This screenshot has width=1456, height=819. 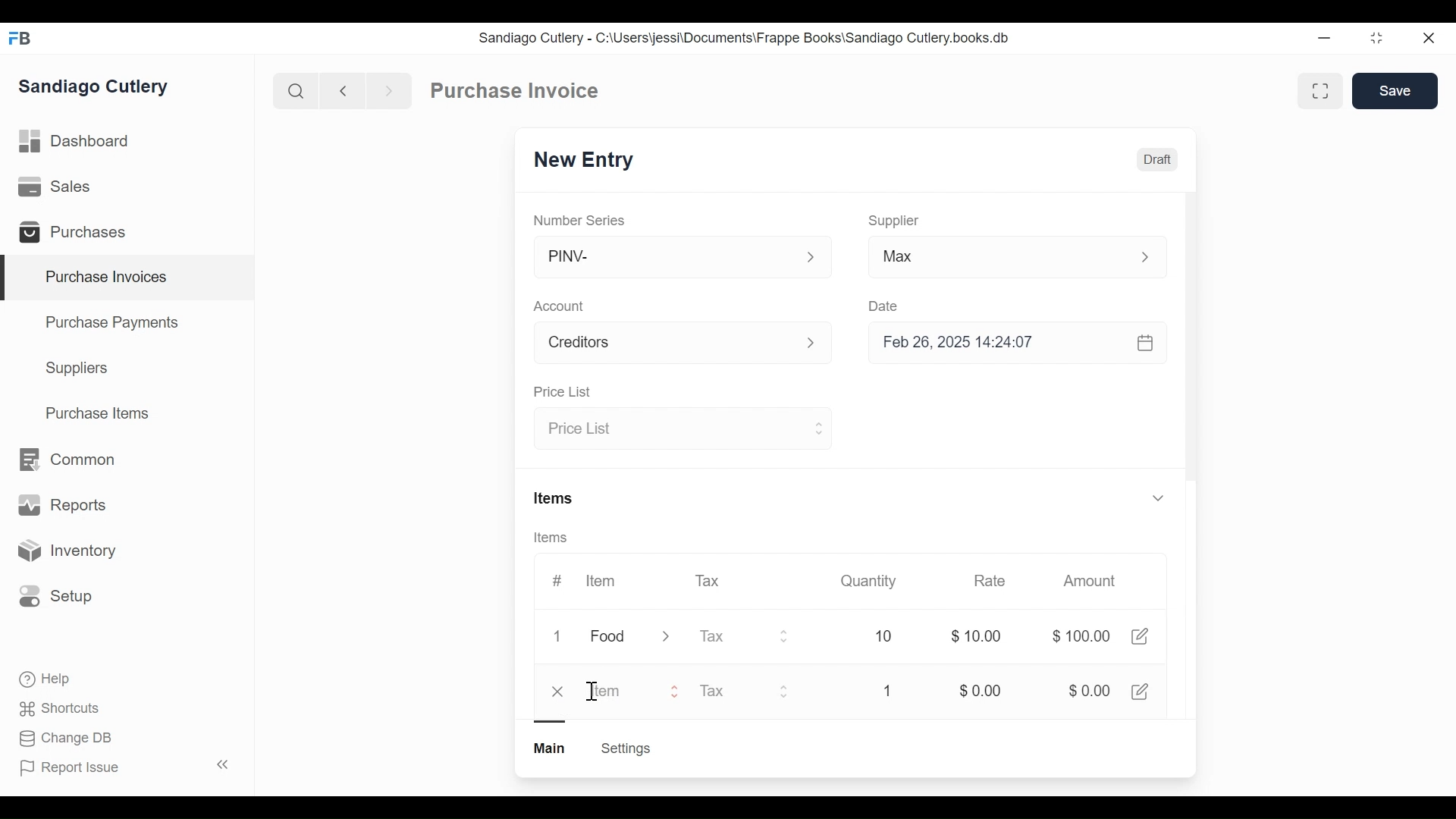 I want to click on Expand, so click(x=785, y=636).